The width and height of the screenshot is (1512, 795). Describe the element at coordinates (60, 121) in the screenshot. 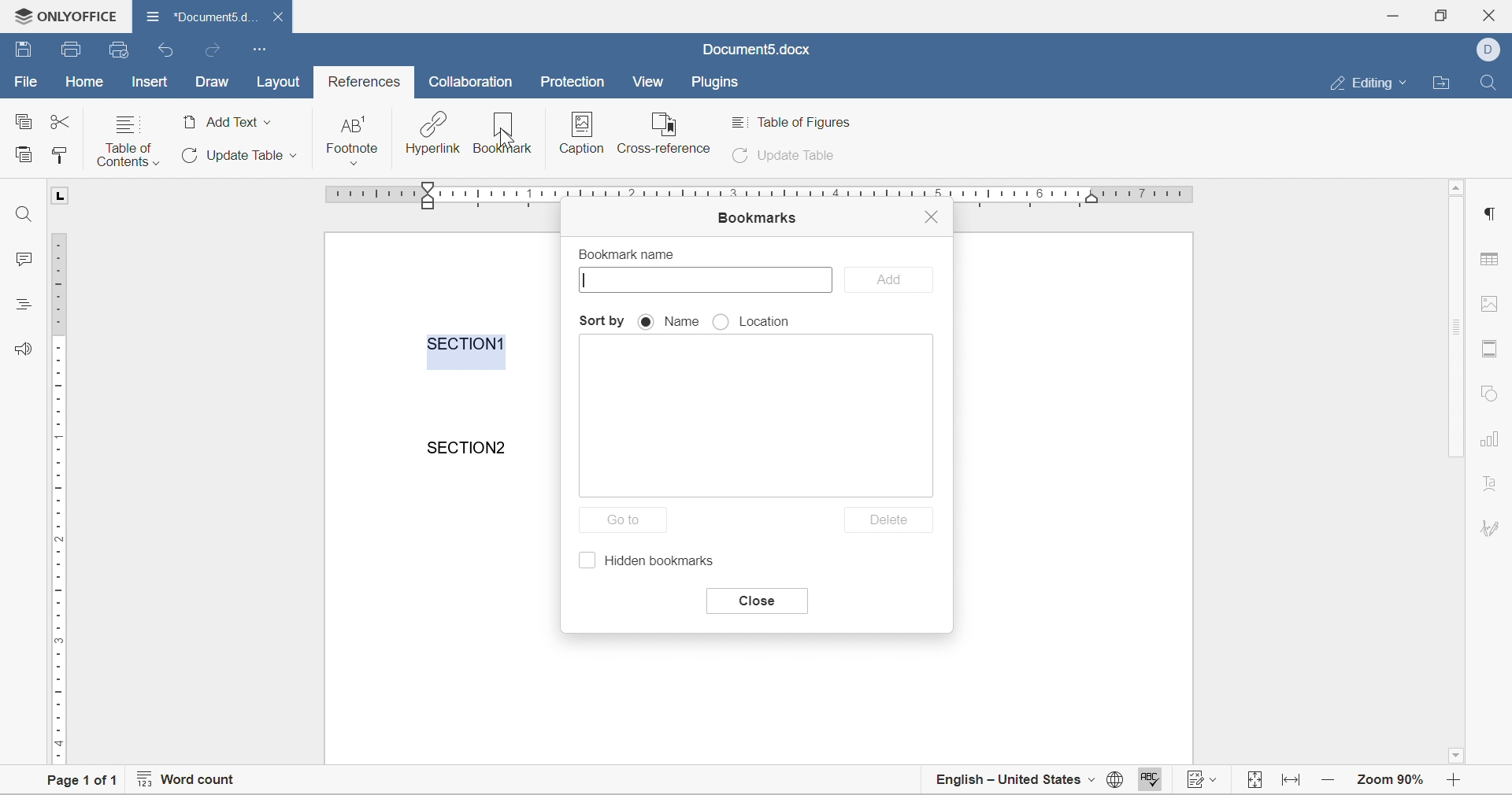

I see `cut` at that location.